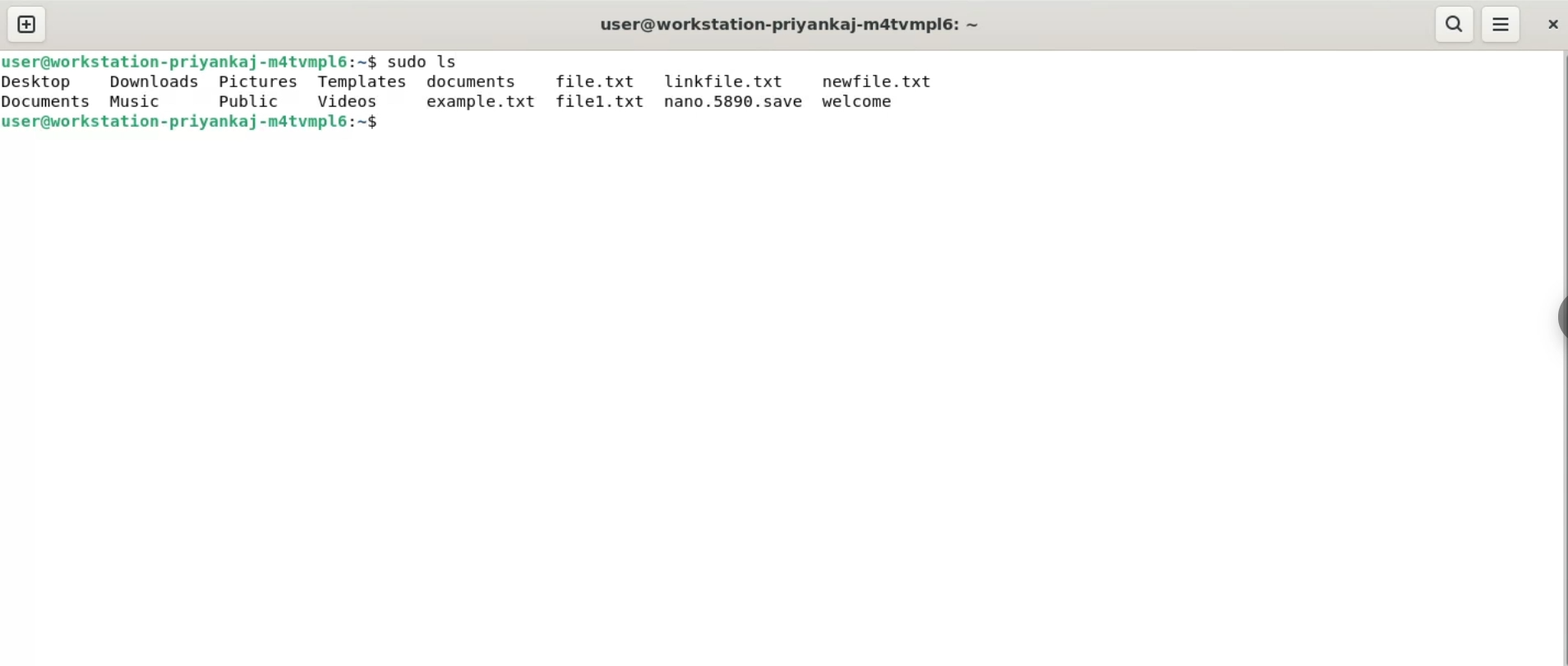  What do you see at coordinates (348, 103) in the screenshot?
I see `videos` at bounding box center [348, 103].